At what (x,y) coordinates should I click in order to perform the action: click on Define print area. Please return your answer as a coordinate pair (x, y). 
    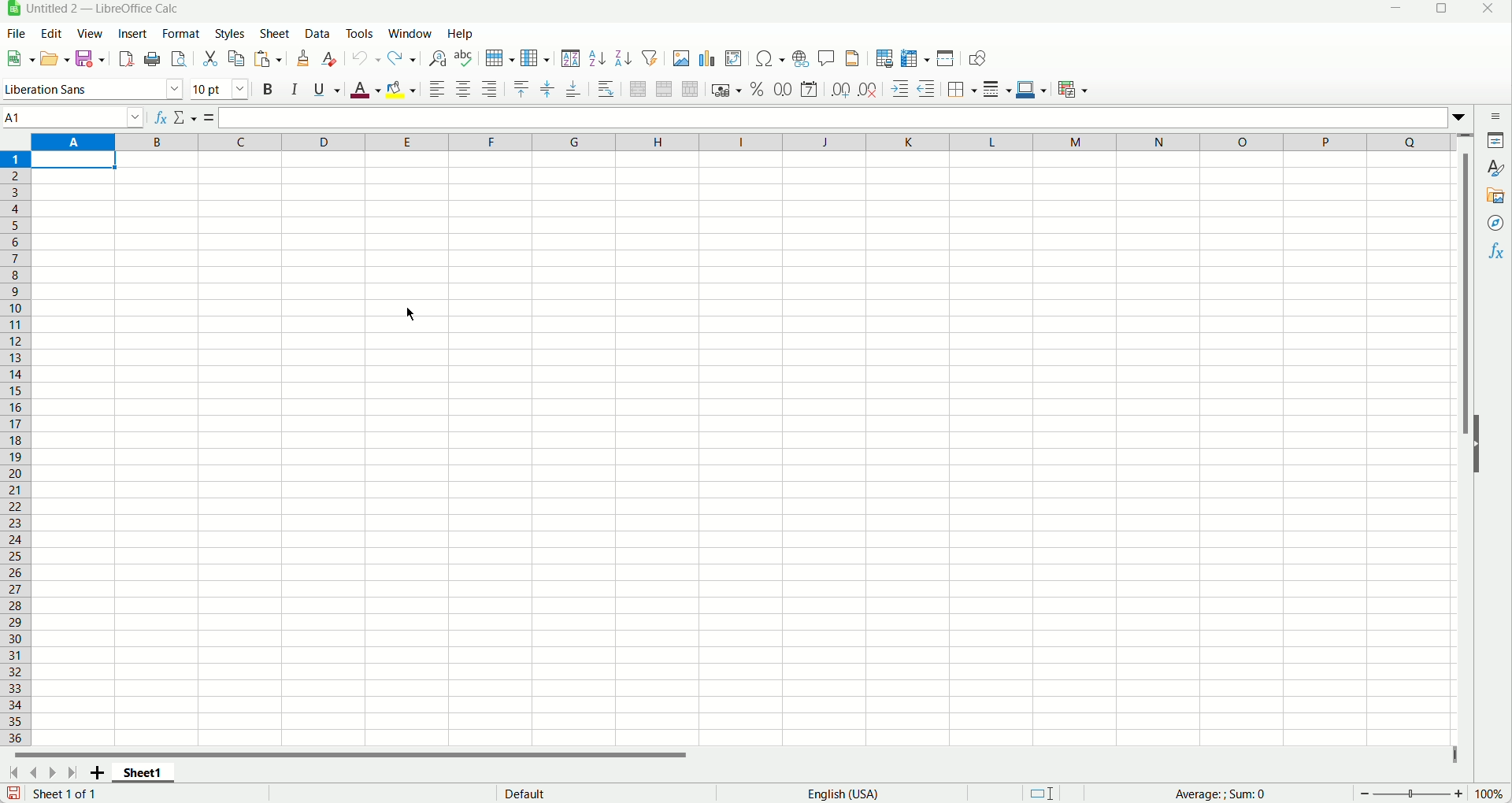
    Looking at the image, I should click on (884, 57).